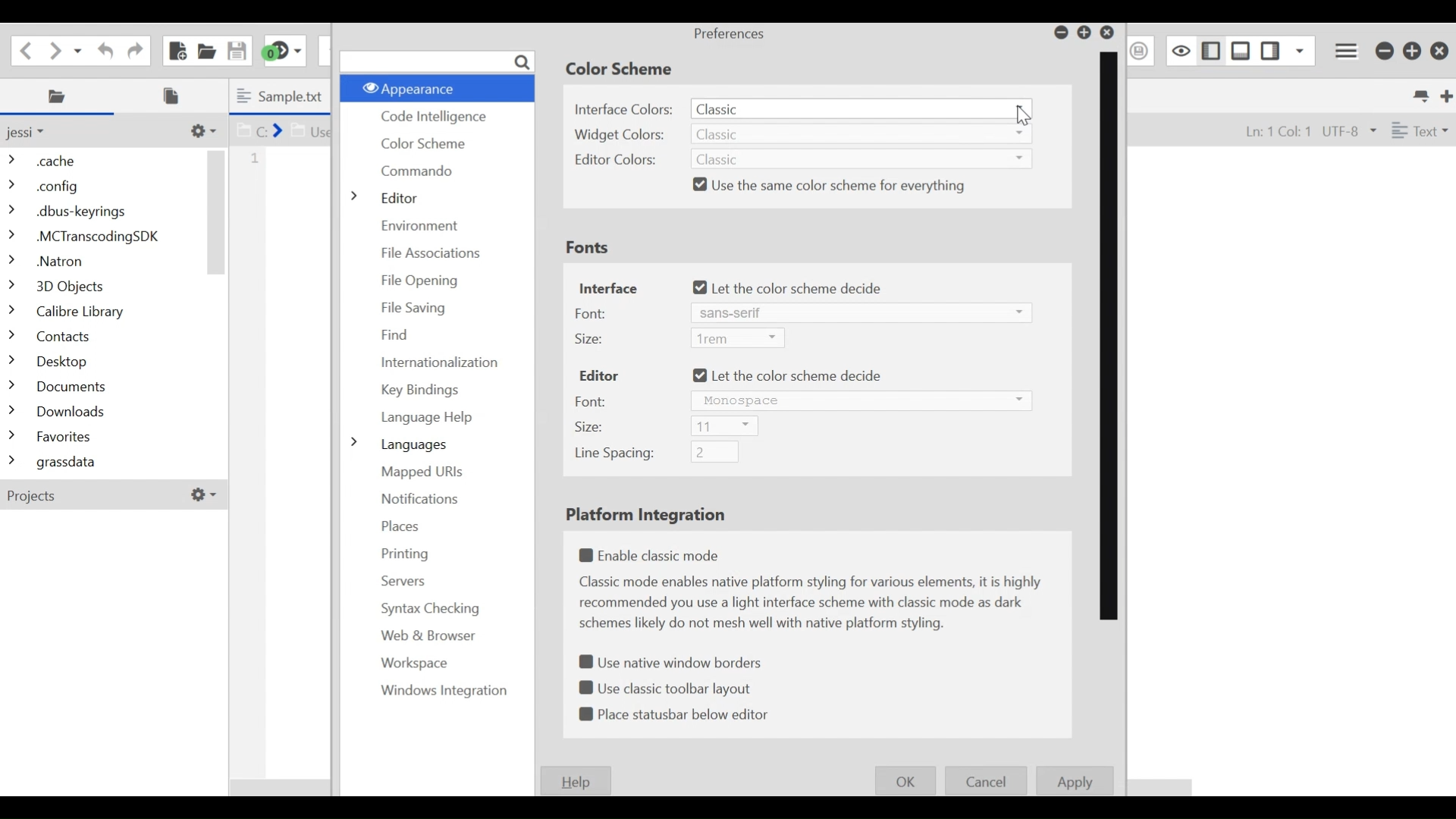 The image size is (1456, 819). What do you see at coordinates (1109, 336) in the screenshot?
I see `Vertical Scroll bar` at bounding box center [1109, 336].